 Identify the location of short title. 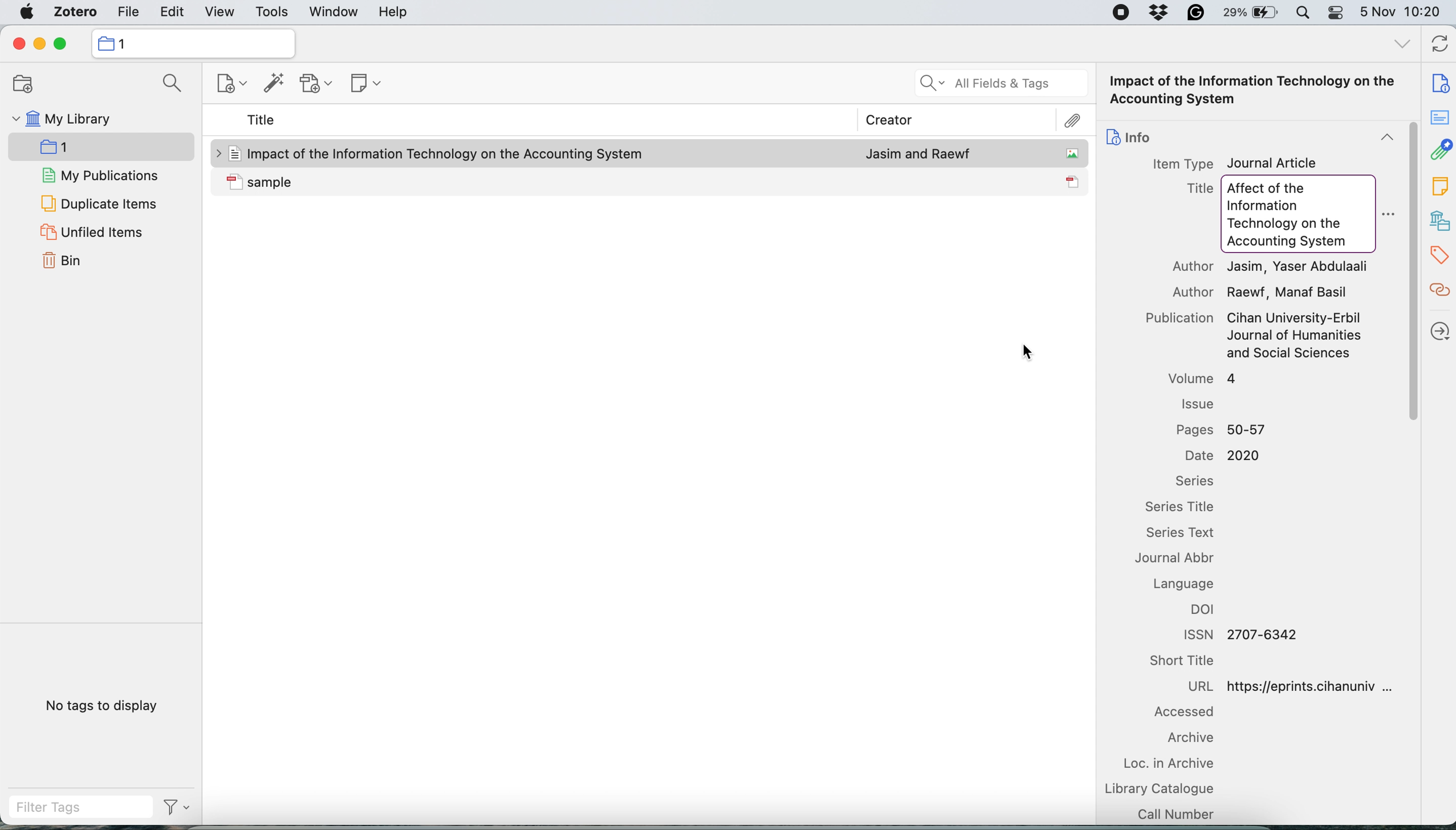
(1185, 661).